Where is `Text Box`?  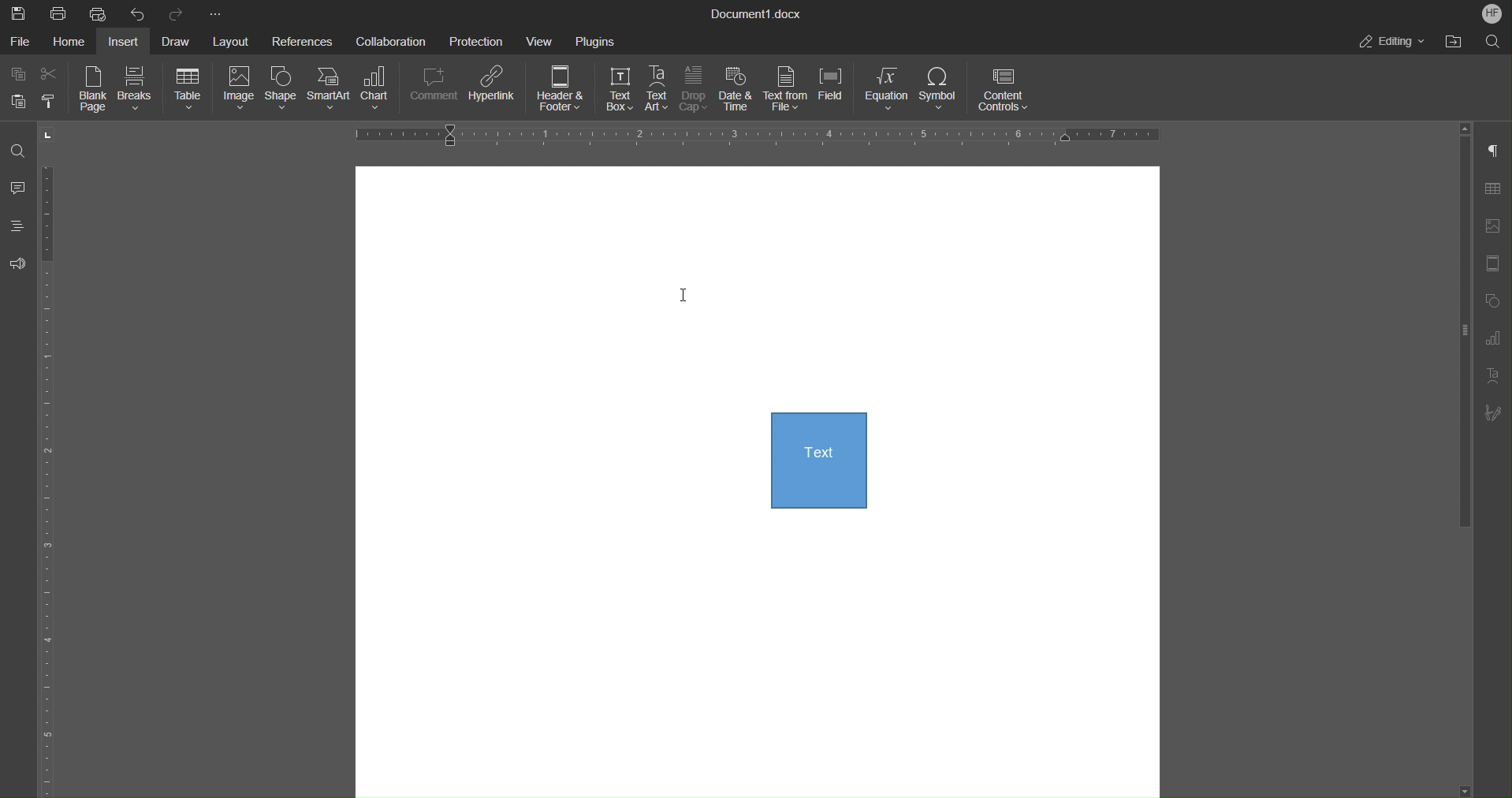 Text Box is located at coordinates (614, 91).